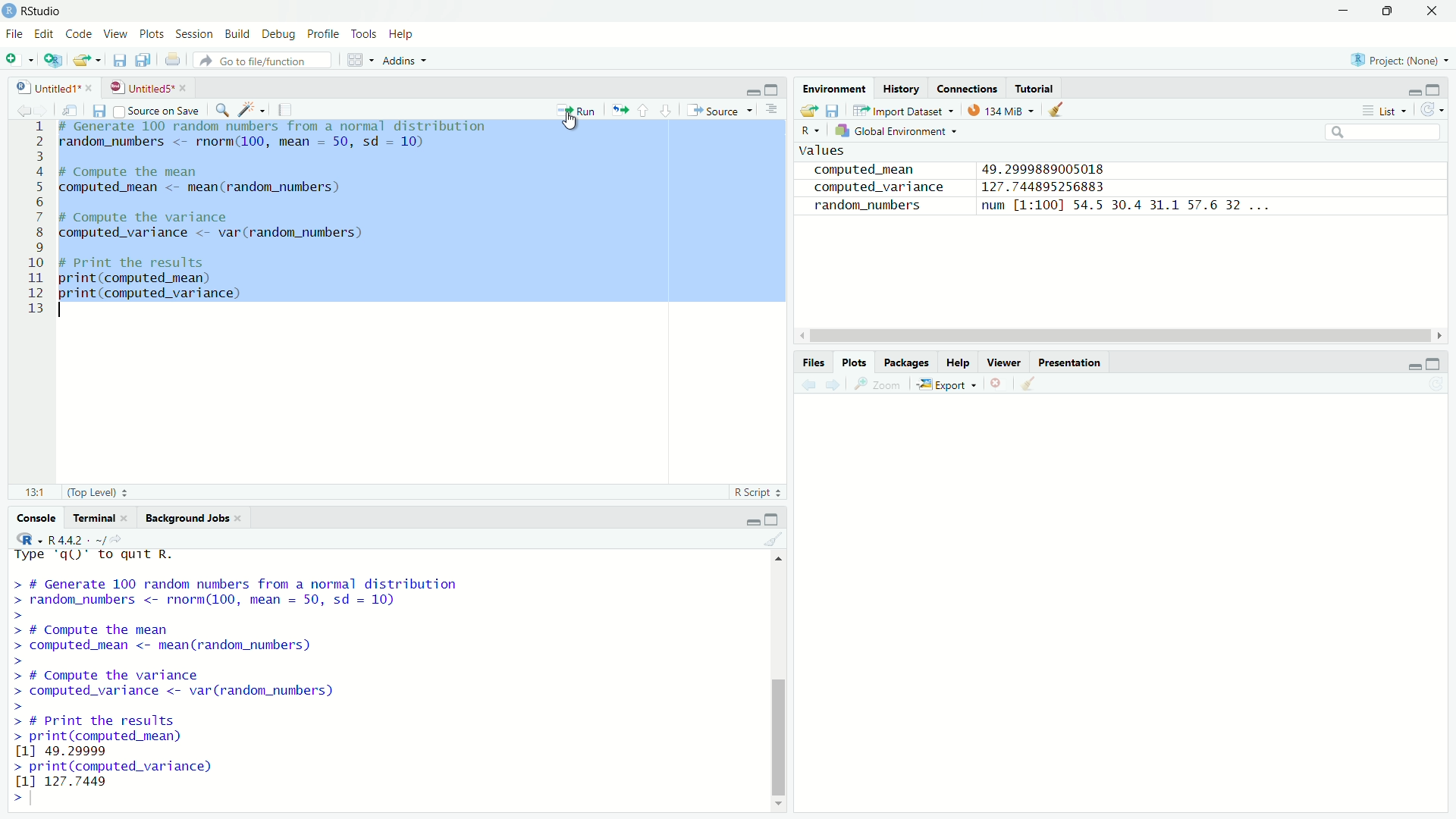 This screenshot has width=1456, height=819. What do you see at coordinates (91, 751) in the screenshot?
I see `[1] 49.29999` at bounding box center [91, 751].